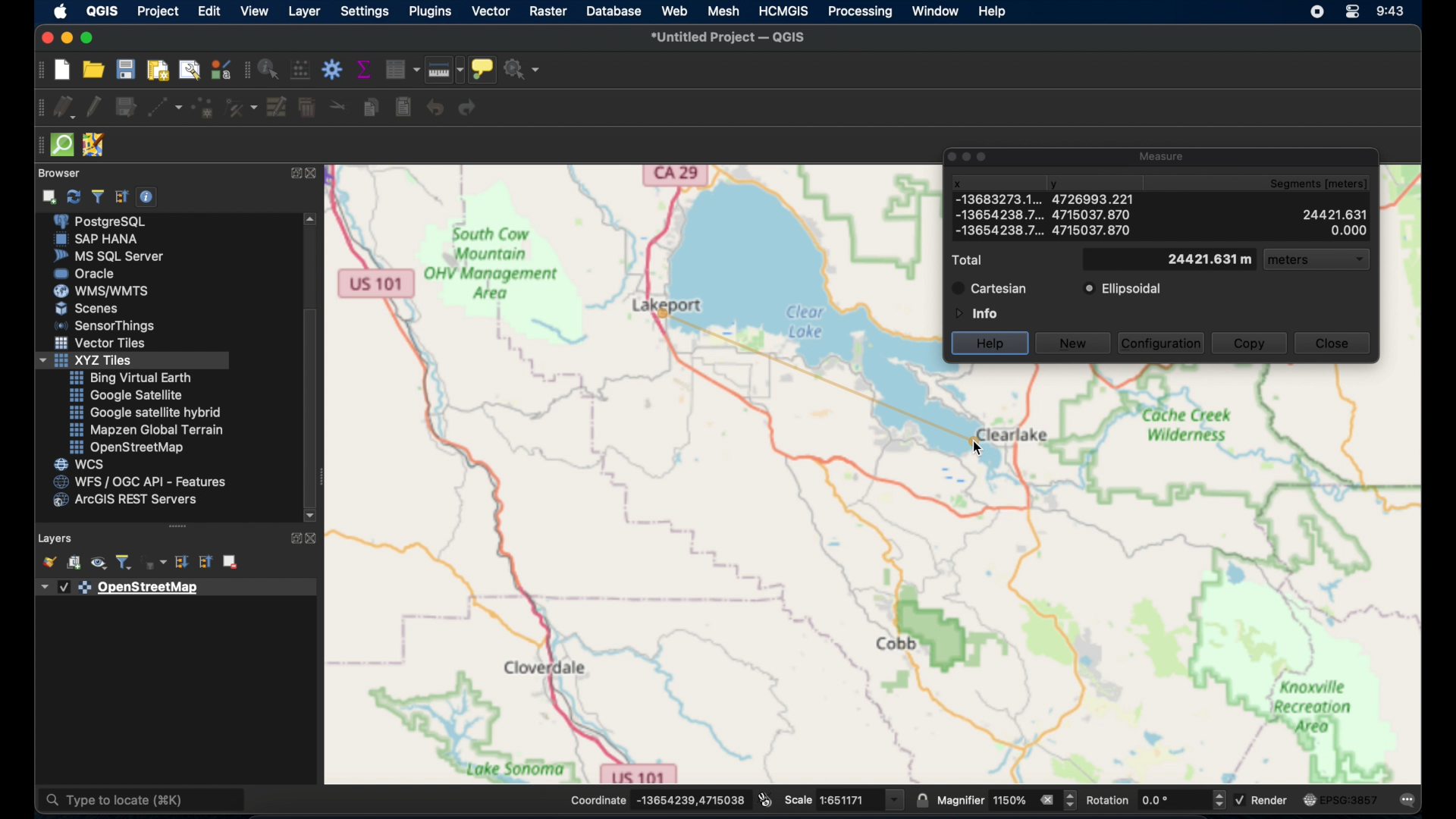  I want to click on bing virtual earth, so click(130, 378).